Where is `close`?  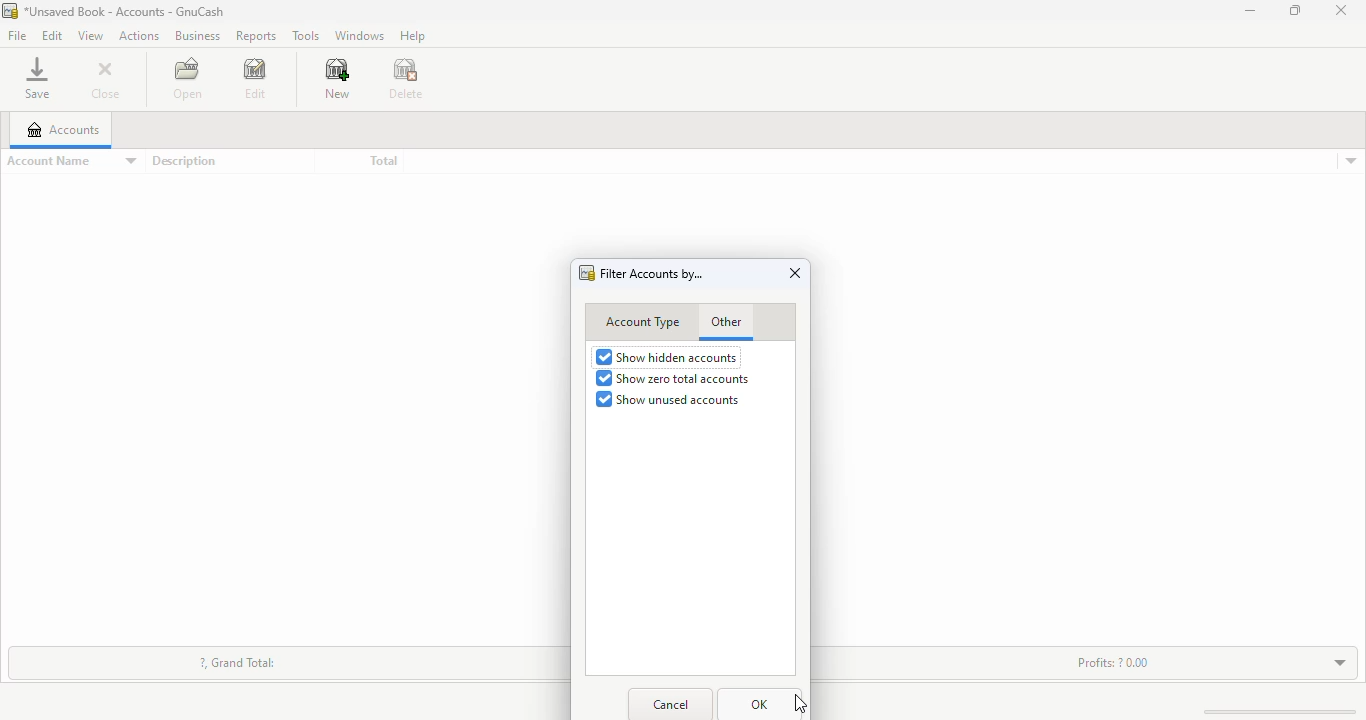
close is located at coordinates (106, 82).